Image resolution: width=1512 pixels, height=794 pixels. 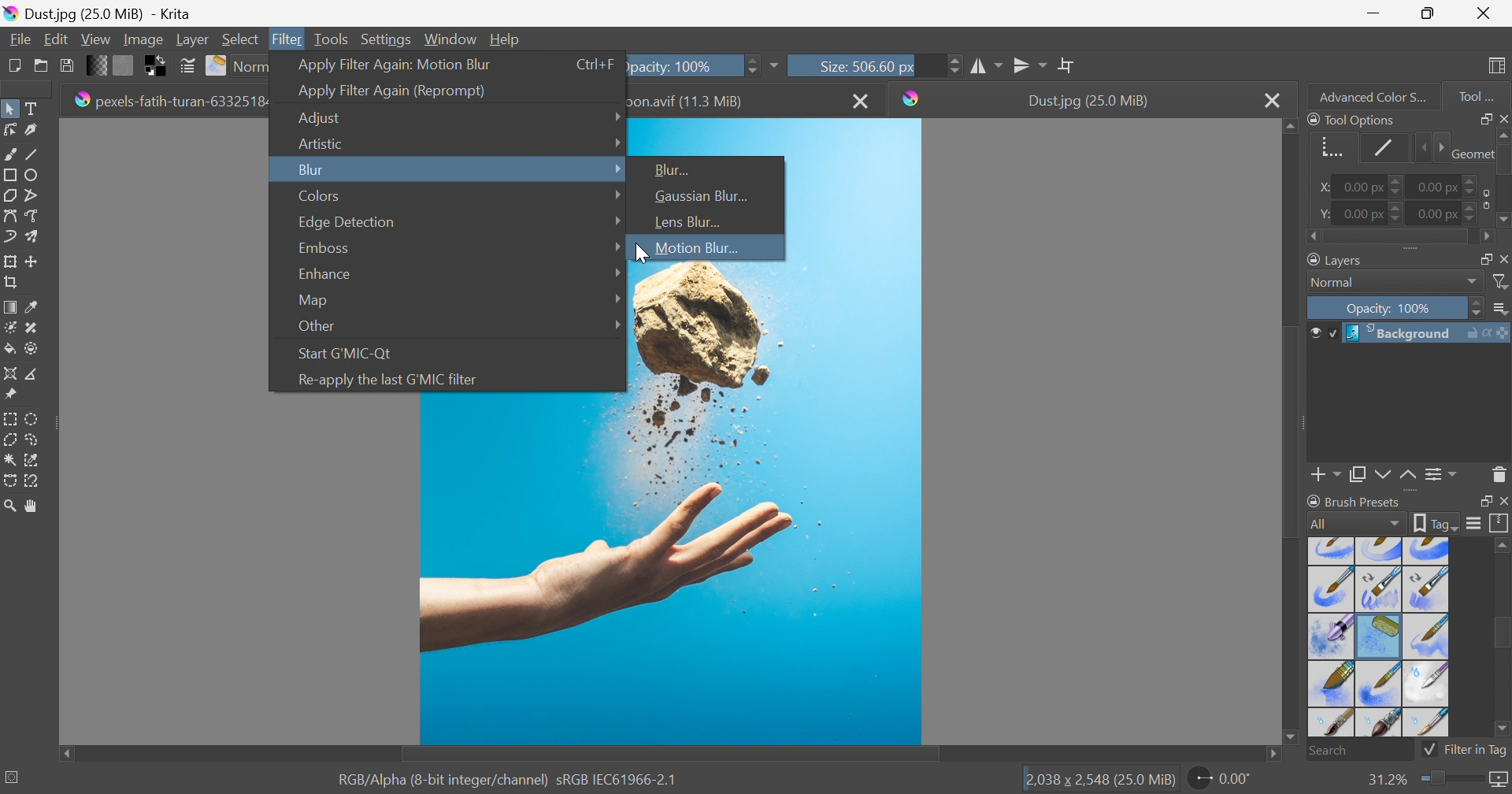 I want to click on Close, so click(x=1272, y=100).